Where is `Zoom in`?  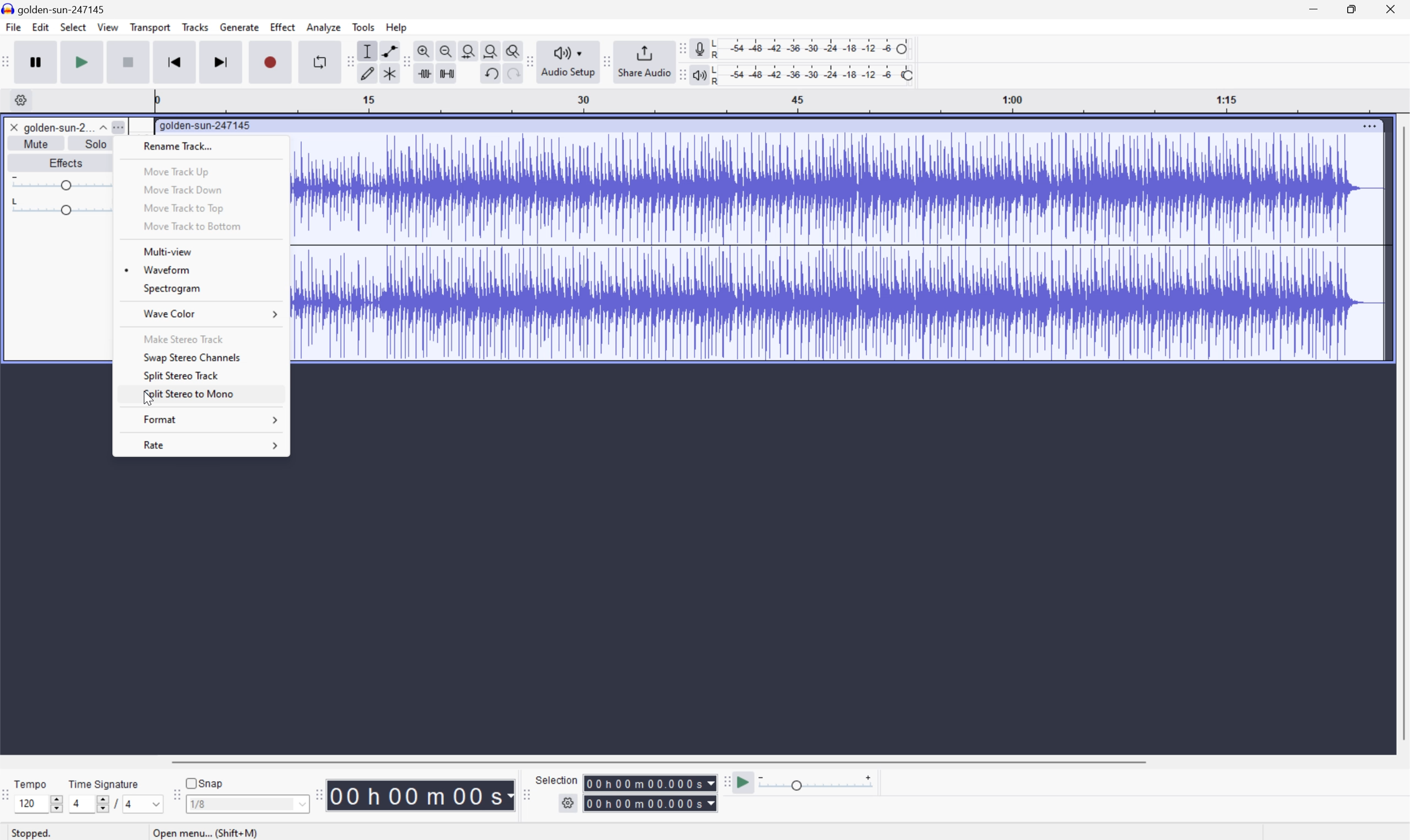
Zoom in is located at coordinates (424, 50).